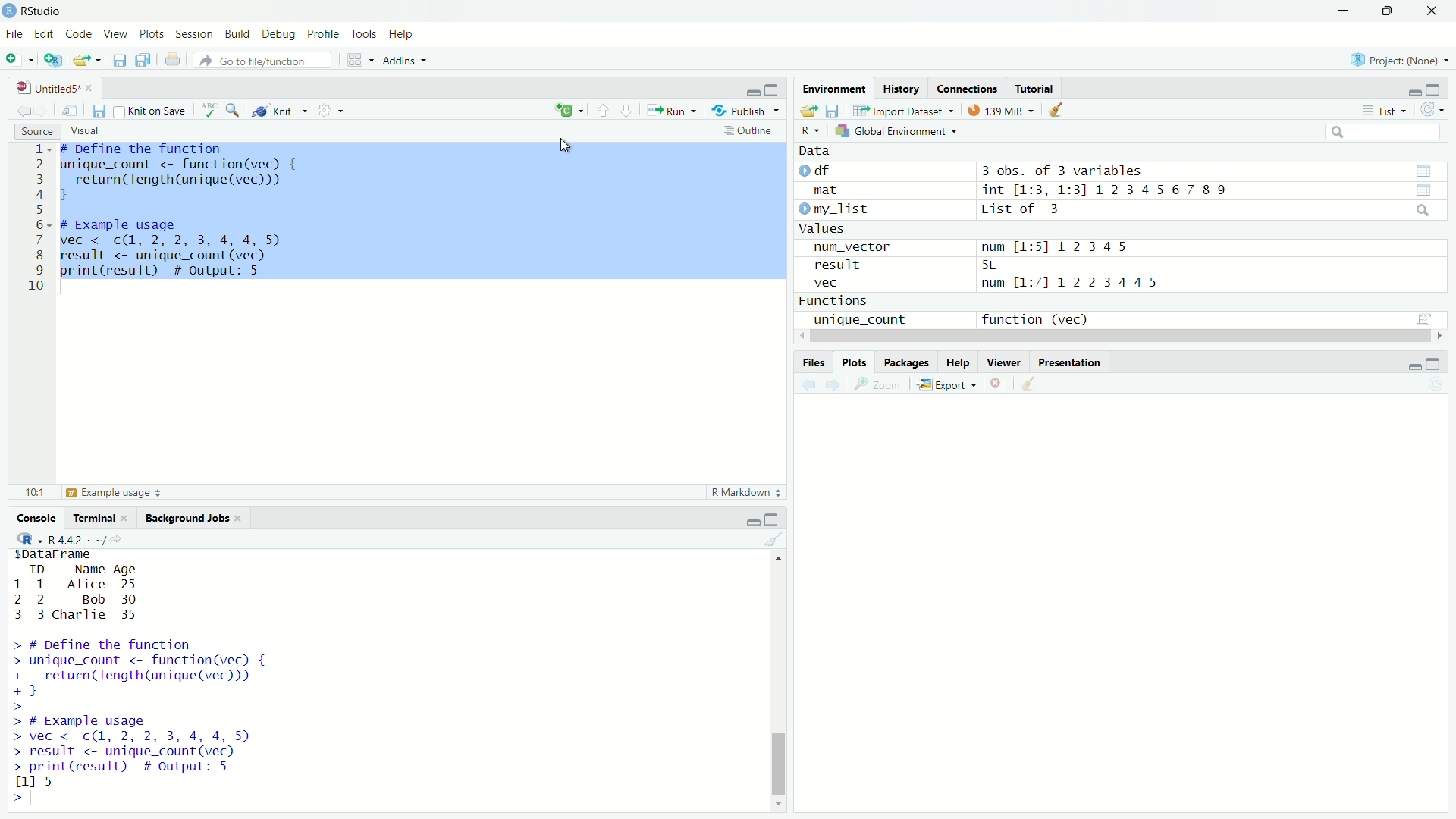 This screenshot has height=819, width=1456. What do you see at coordinates (1389, 11) in the screenshot?
I see `maximize` at bounding box center [1389, 11].